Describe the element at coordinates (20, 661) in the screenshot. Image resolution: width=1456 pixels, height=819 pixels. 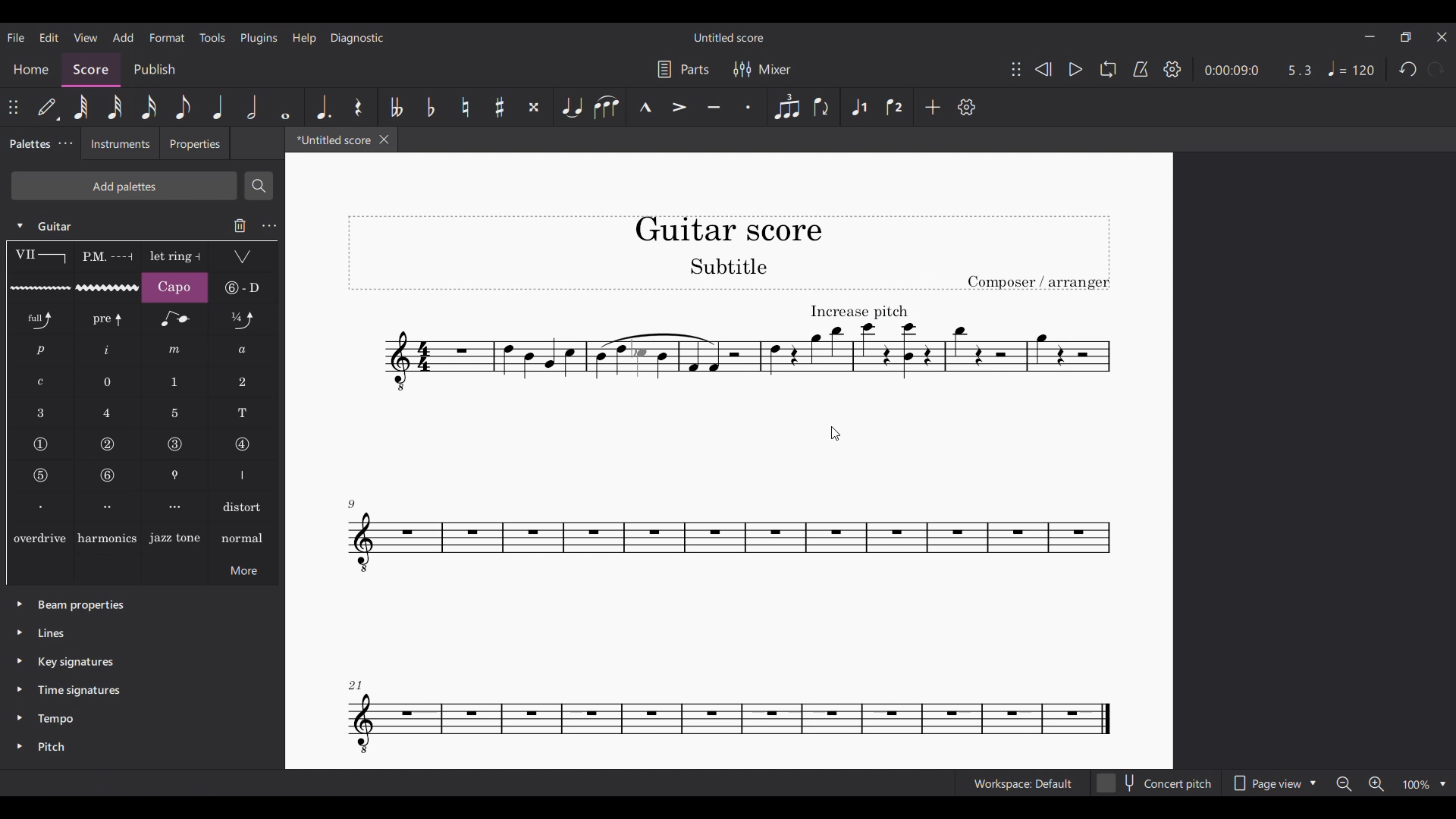
I see `Click to expand key signatures palette` at that location.